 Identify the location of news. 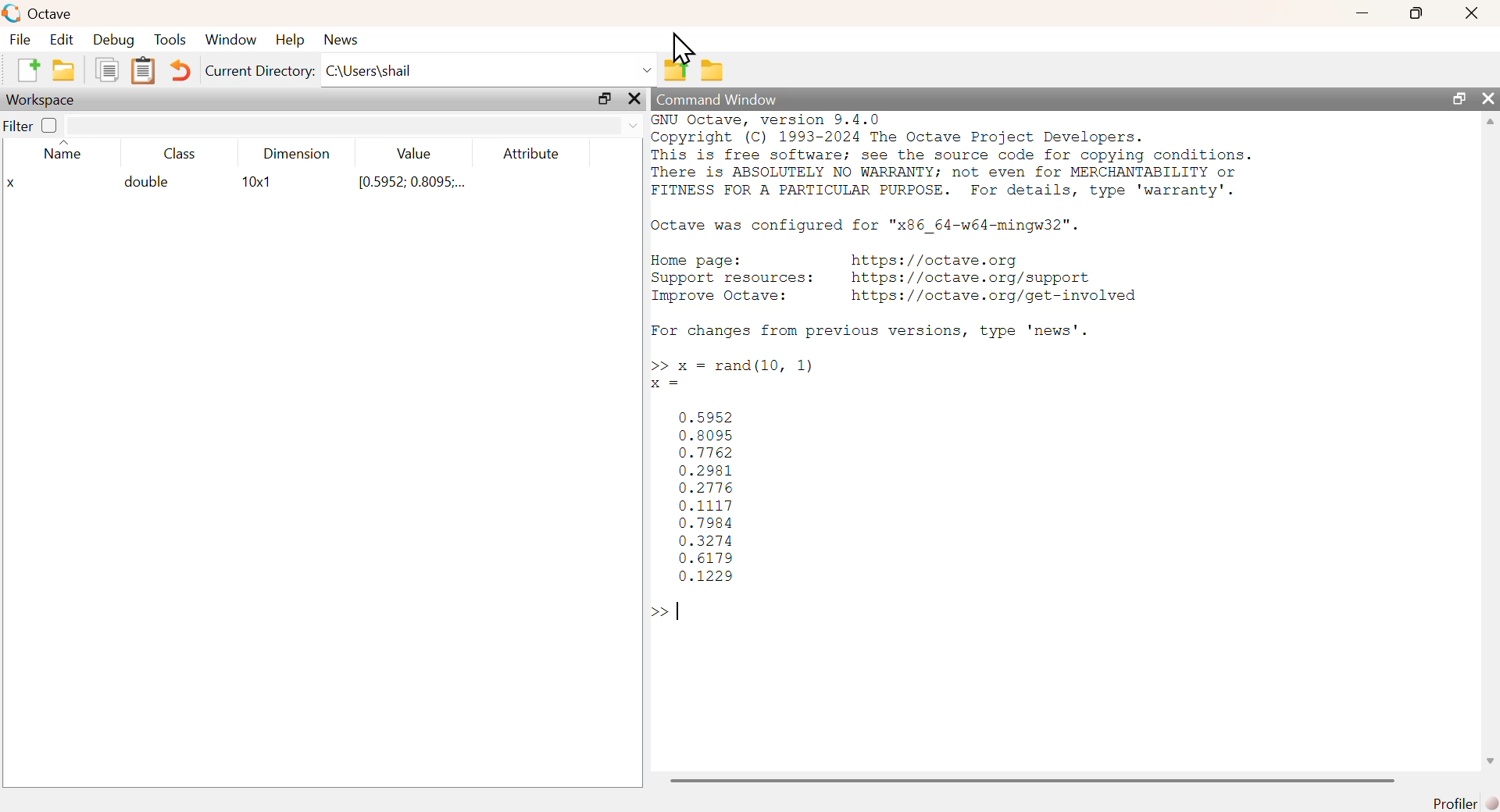
(341, 40).